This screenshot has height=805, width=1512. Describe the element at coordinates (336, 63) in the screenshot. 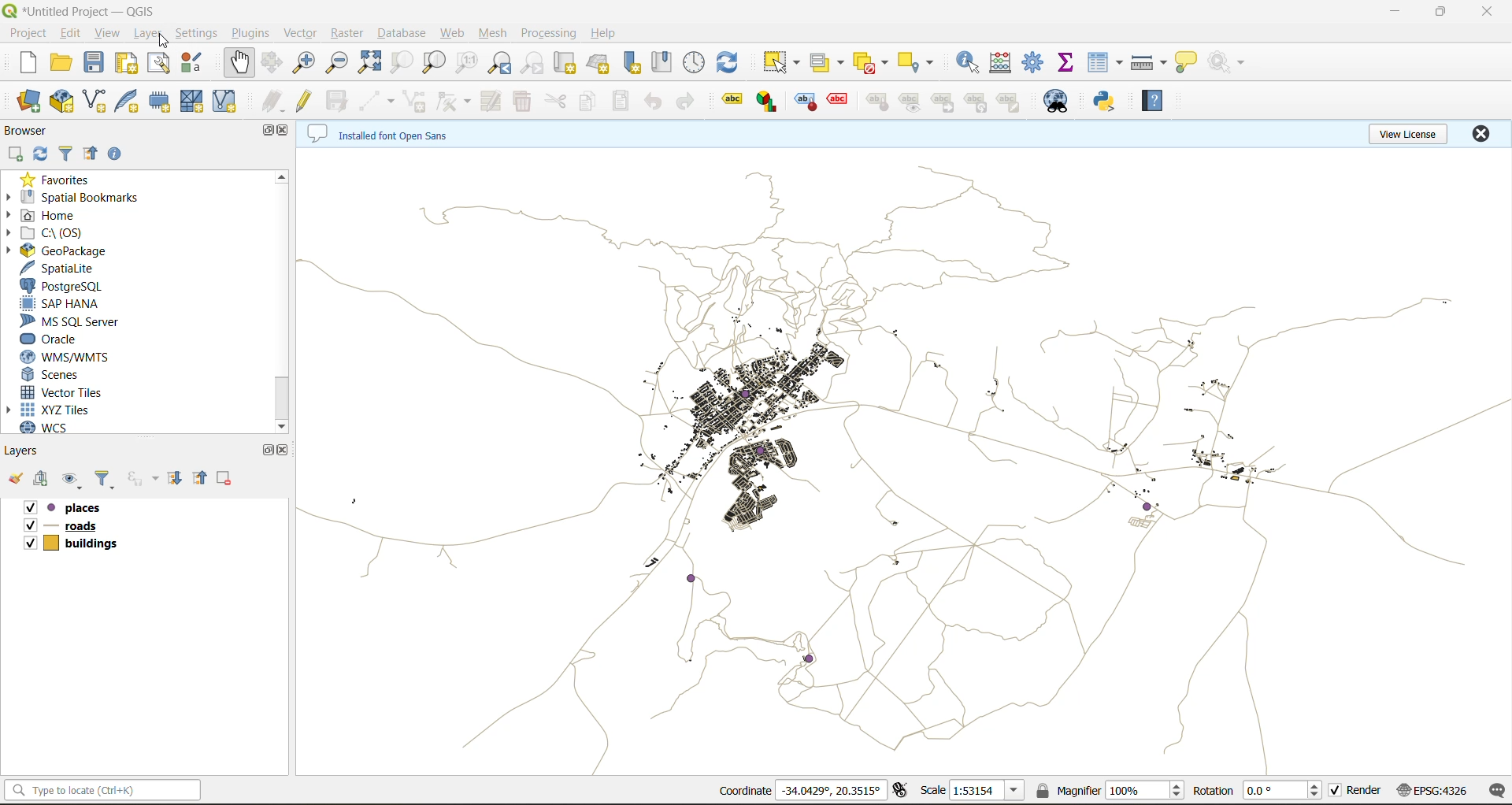

I see `zoom out` at that location.